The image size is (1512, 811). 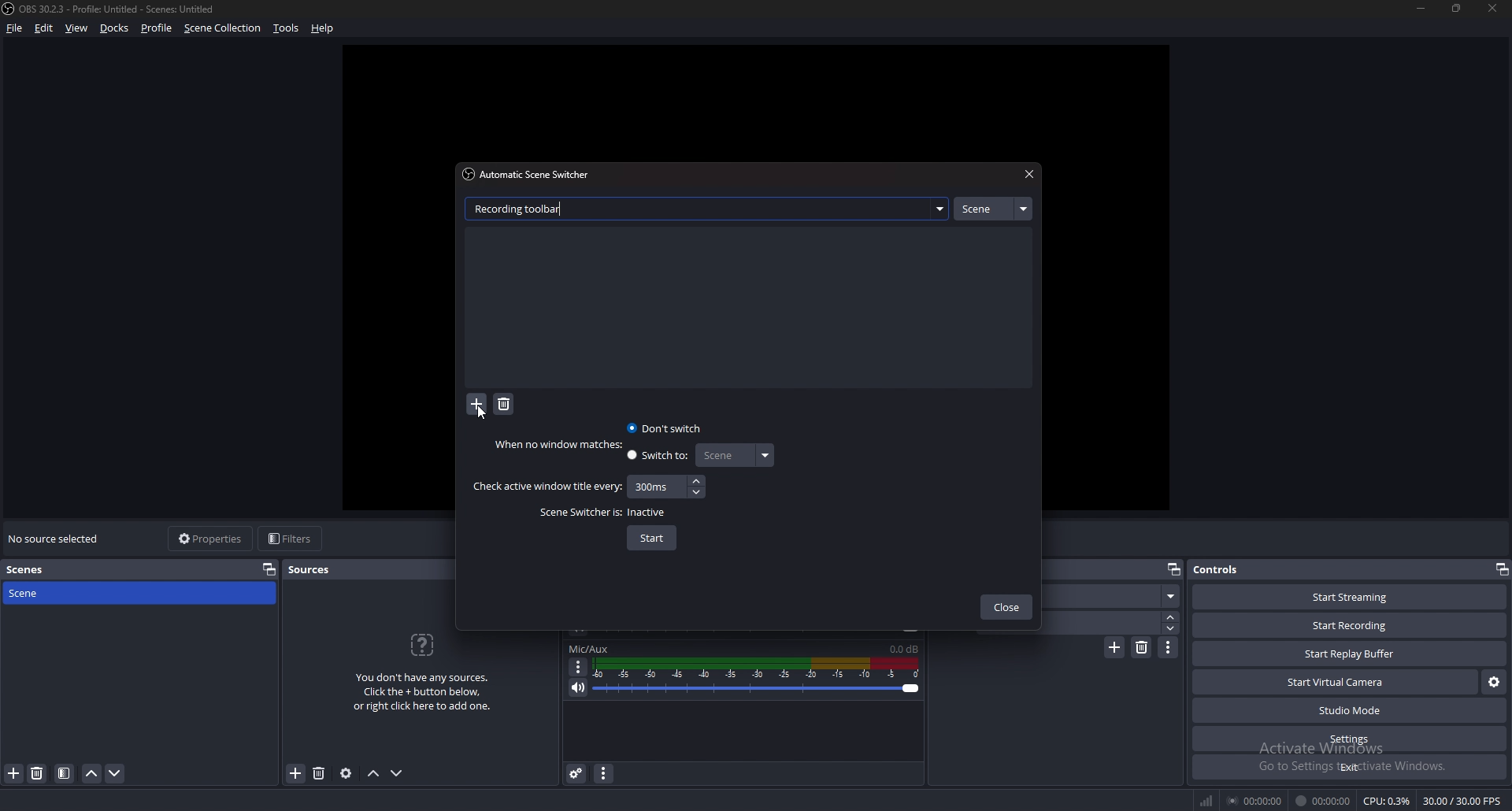 What do you see at coordinates (1349, 626) in the screenshot?
I see `start recording` at bounding box center [1349, 626].